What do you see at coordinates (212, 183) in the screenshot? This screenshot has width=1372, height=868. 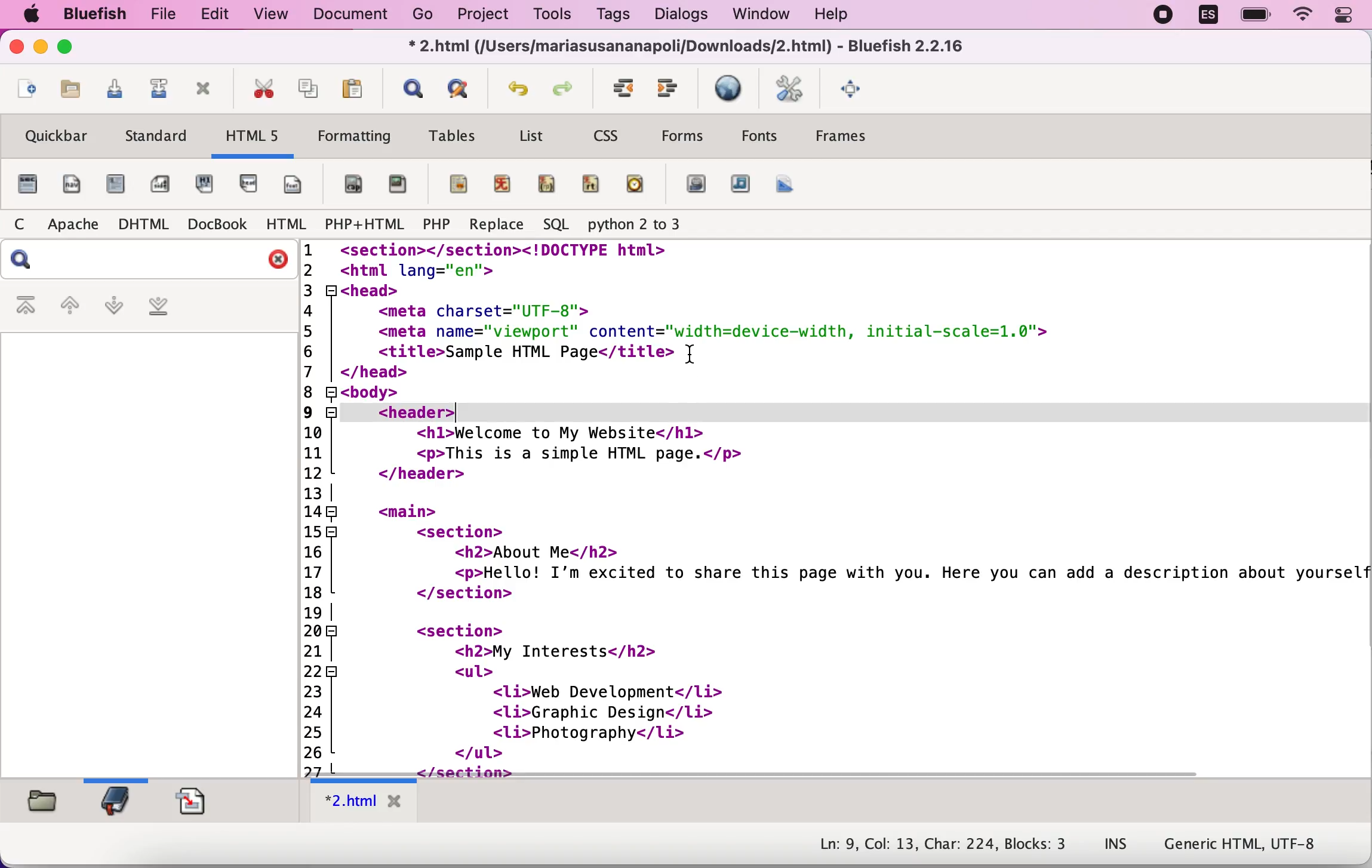 I see `hgroup` at bounding box center [212, 183].